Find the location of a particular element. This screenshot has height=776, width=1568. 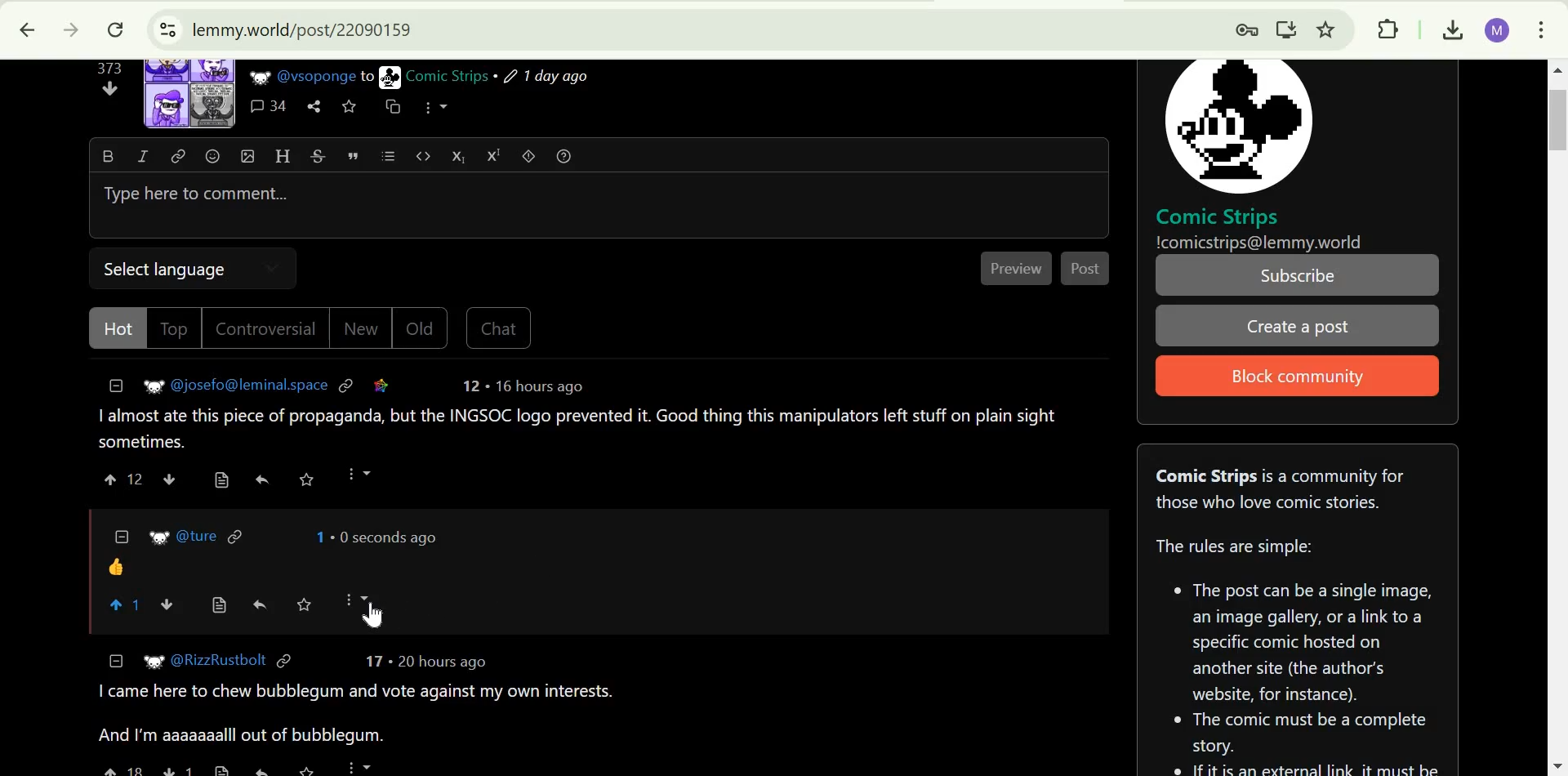

1 upvote is located at coordinates (127, 605).